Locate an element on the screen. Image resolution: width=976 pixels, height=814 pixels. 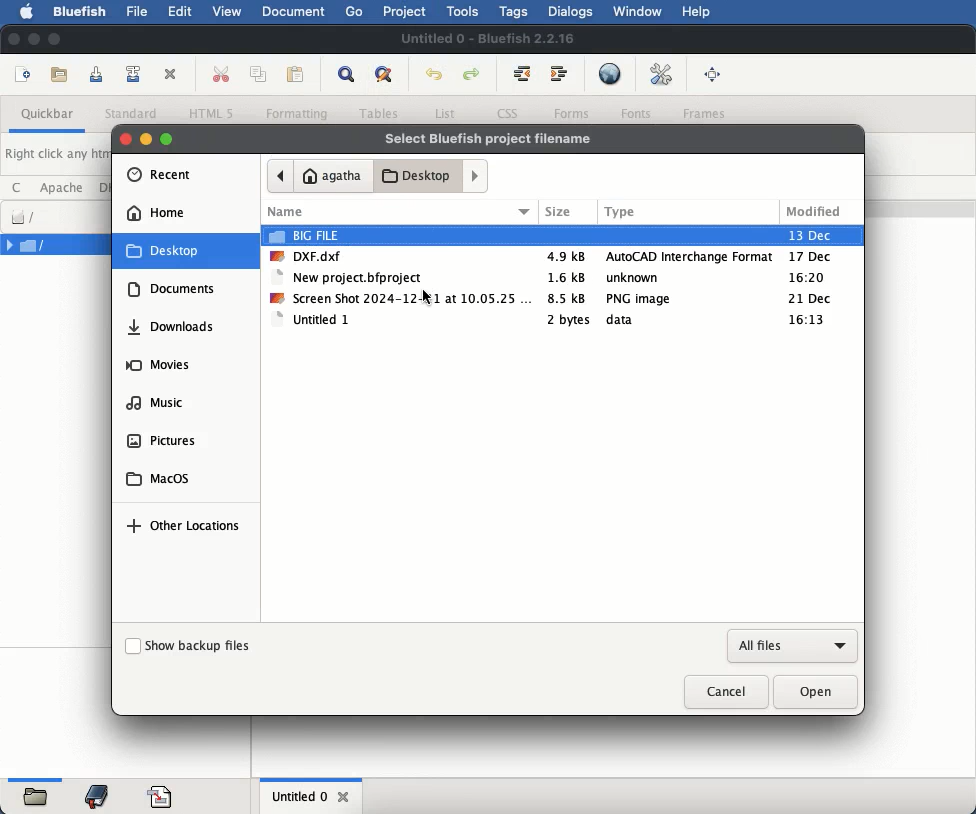
Horizontal Scrollbar is located at coordinates (309, 779).